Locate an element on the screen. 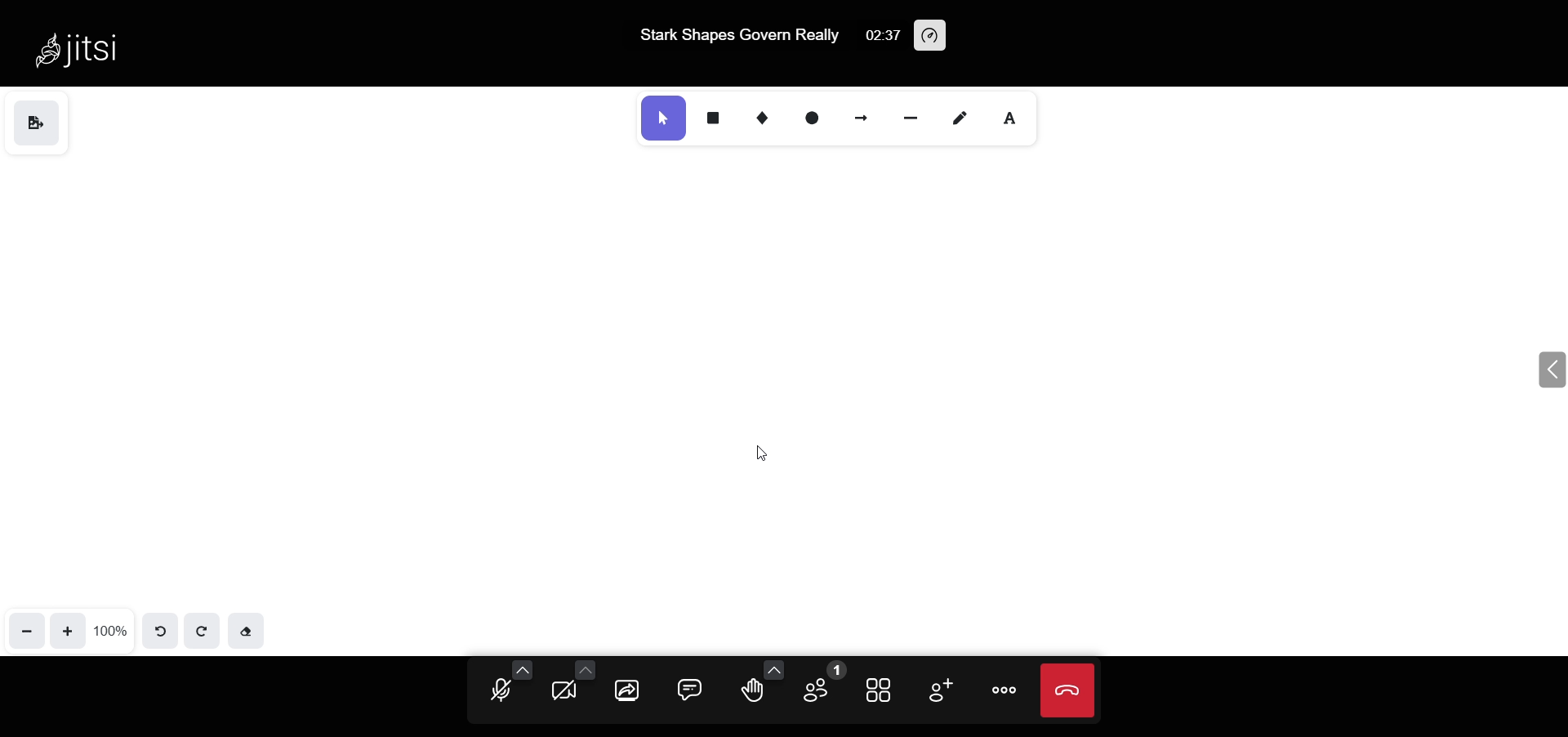 This screenshot has height=737, width=1568. participant is located at coordinates (819, 685).